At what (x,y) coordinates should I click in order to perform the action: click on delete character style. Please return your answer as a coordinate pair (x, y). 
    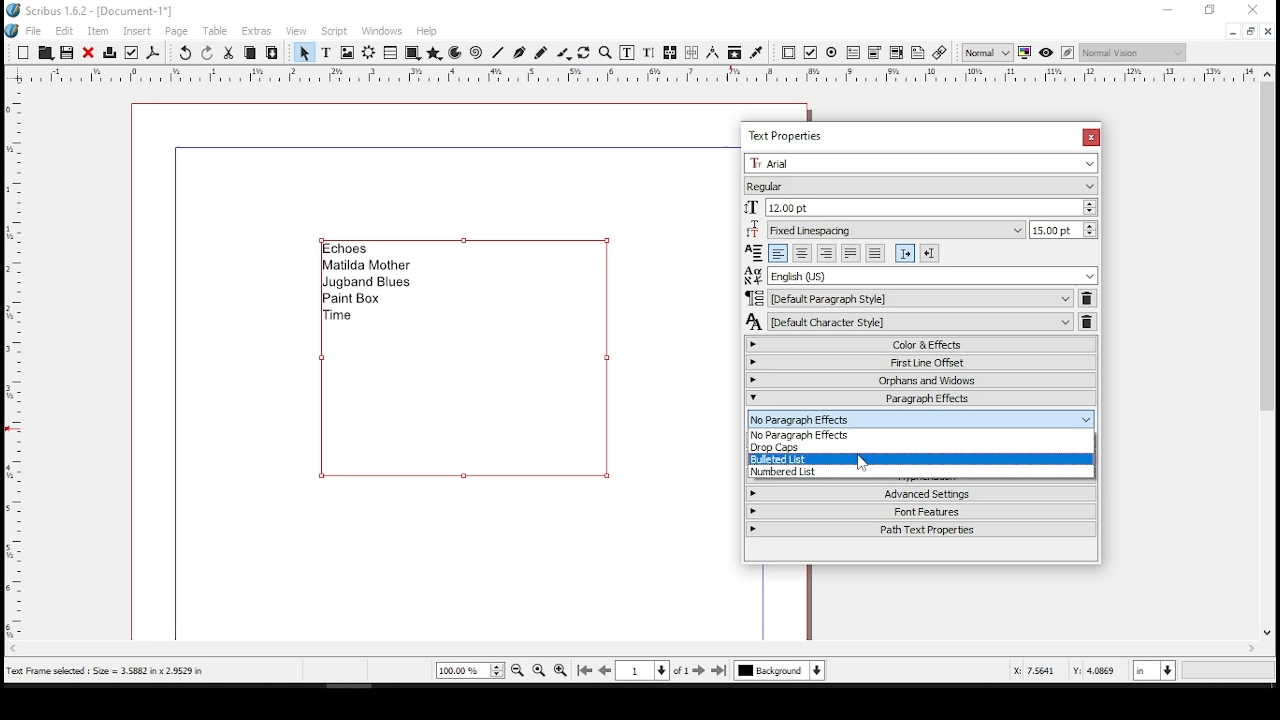
    Looking at the image, I should click on (1087, 321).